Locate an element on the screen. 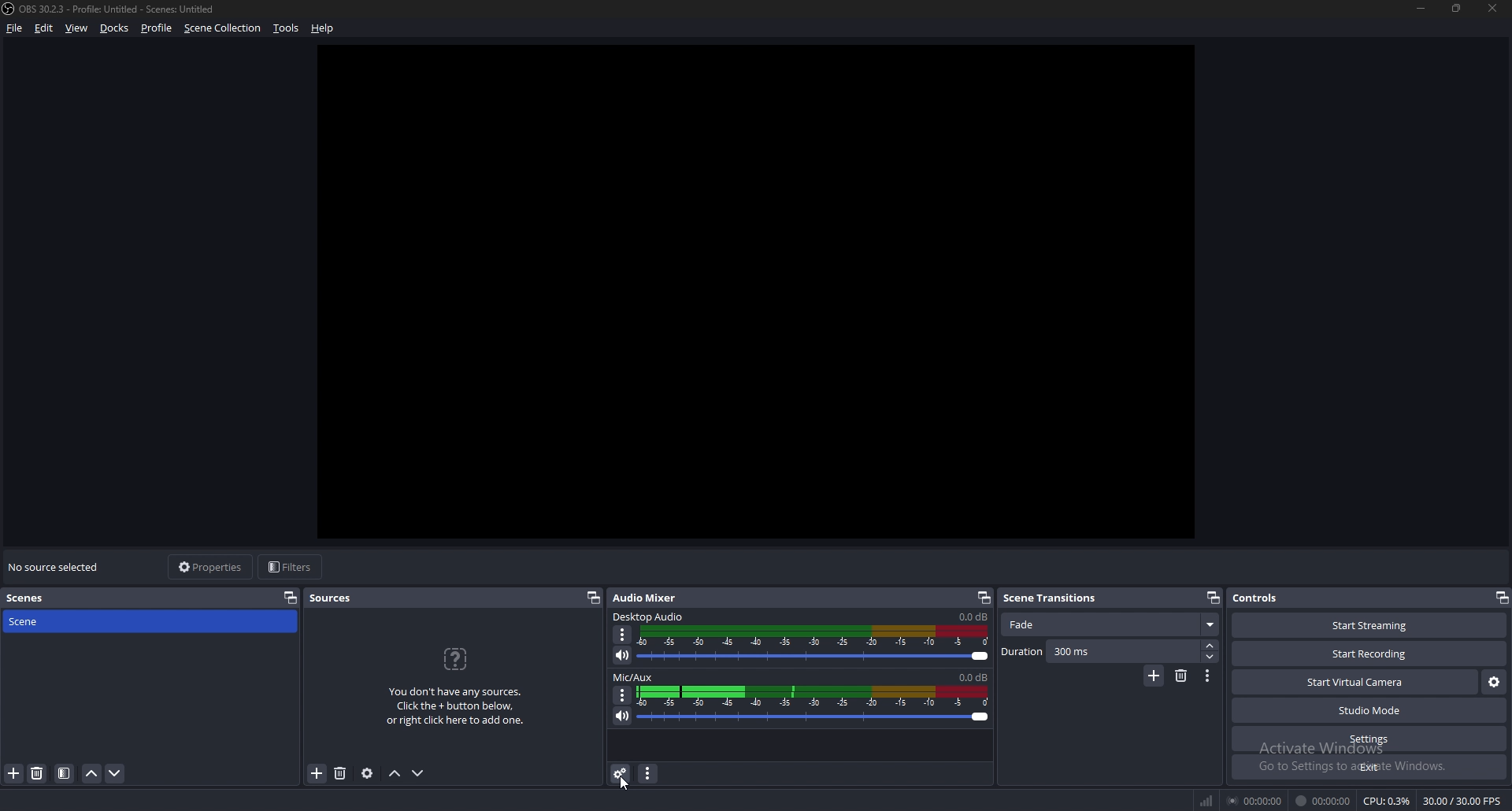  delete scene is located at coordinates (1183, 676).